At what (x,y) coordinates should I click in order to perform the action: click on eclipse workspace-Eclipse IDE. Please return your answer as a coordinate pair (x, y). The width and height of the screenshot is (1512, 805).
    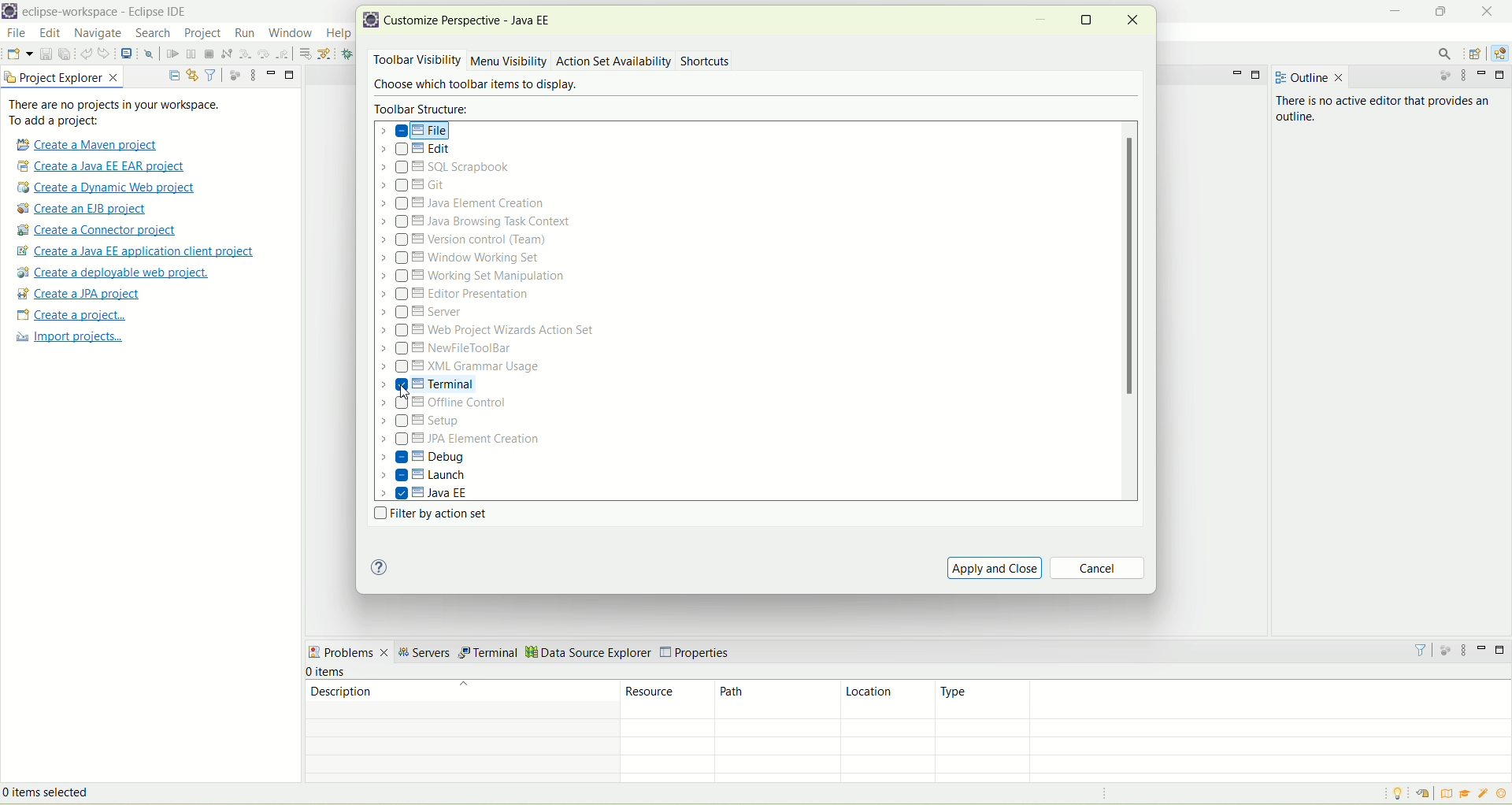
    Looking at the image, I should click on (110, 13).